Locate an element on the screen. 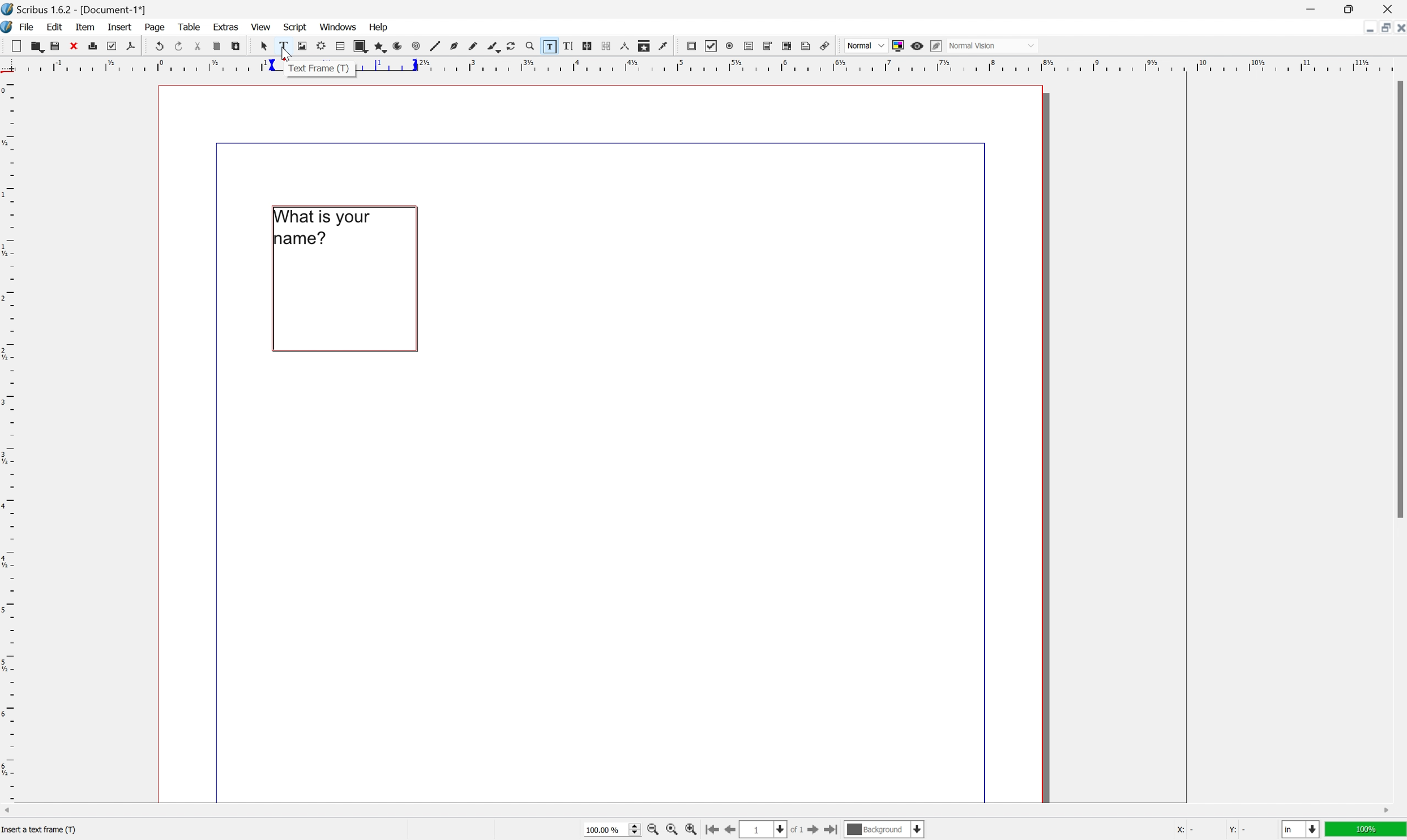  save as pdf is located at coordinates (130, 45).